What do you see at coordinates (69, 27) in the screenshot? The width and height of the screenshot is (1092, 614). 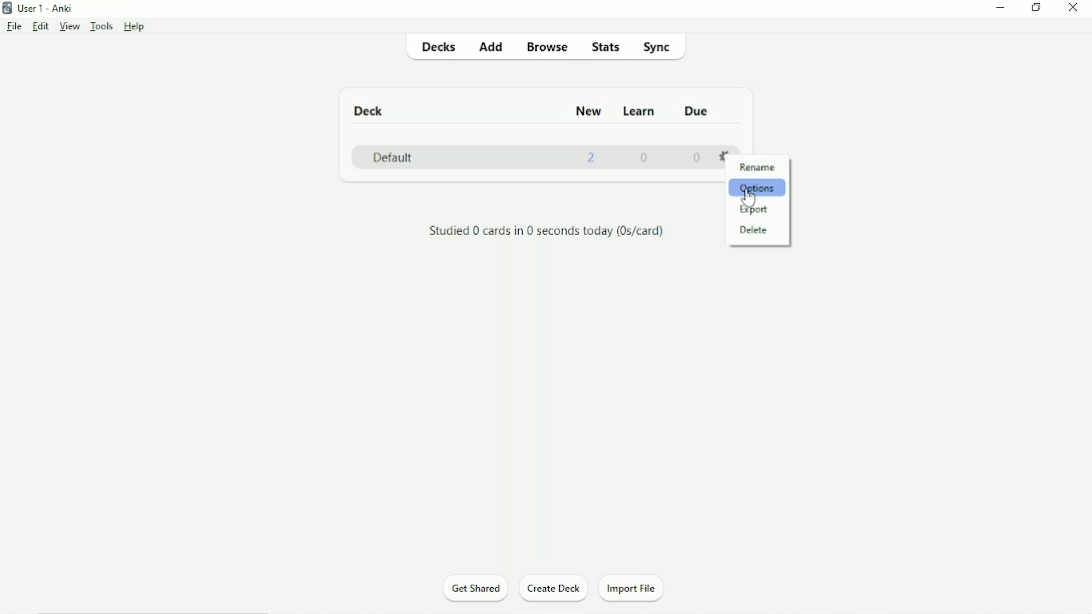 I see `View` at bounding box center [69, 27].